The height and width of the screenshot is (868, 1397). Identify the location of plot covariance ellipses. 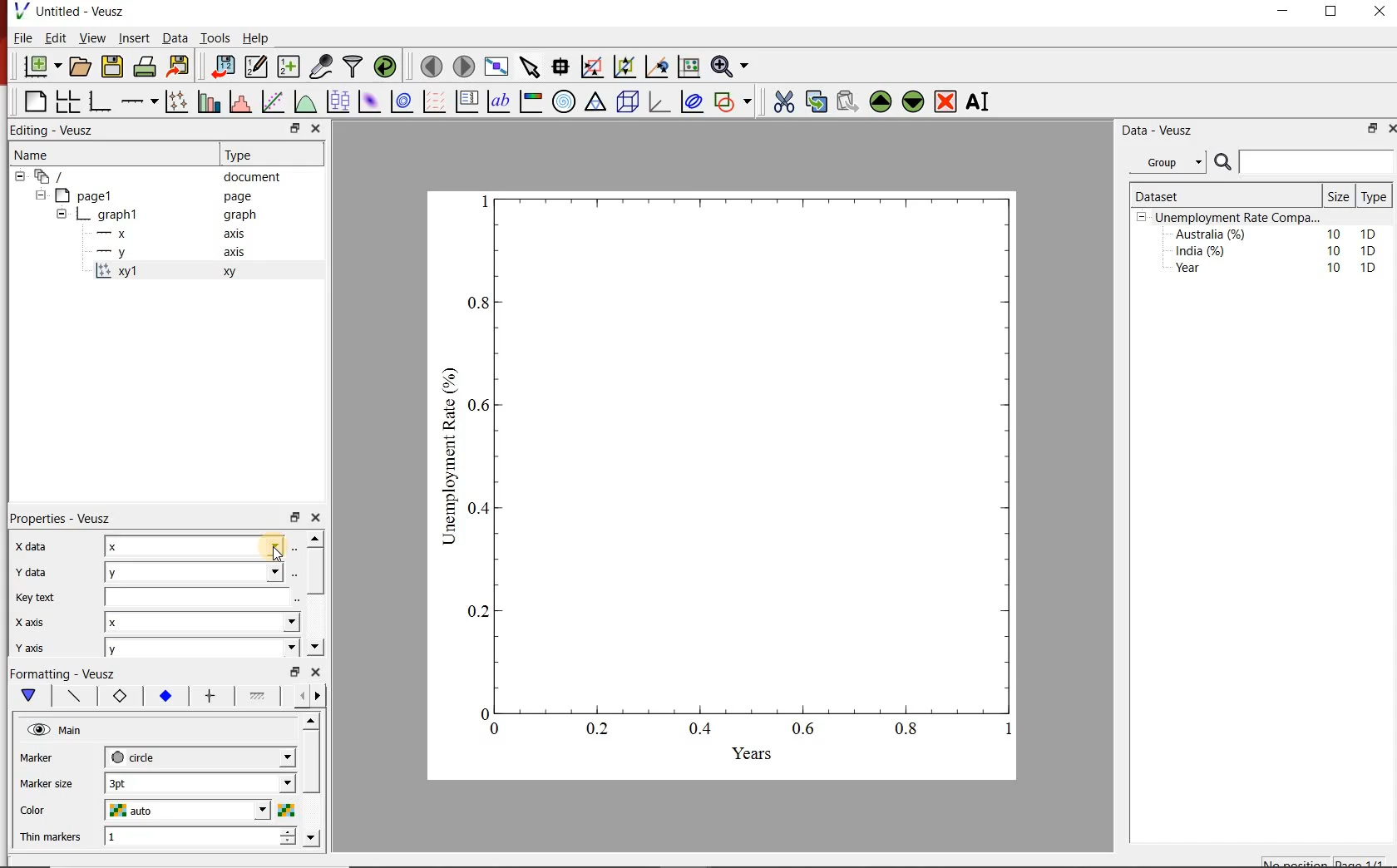
(693, 101).